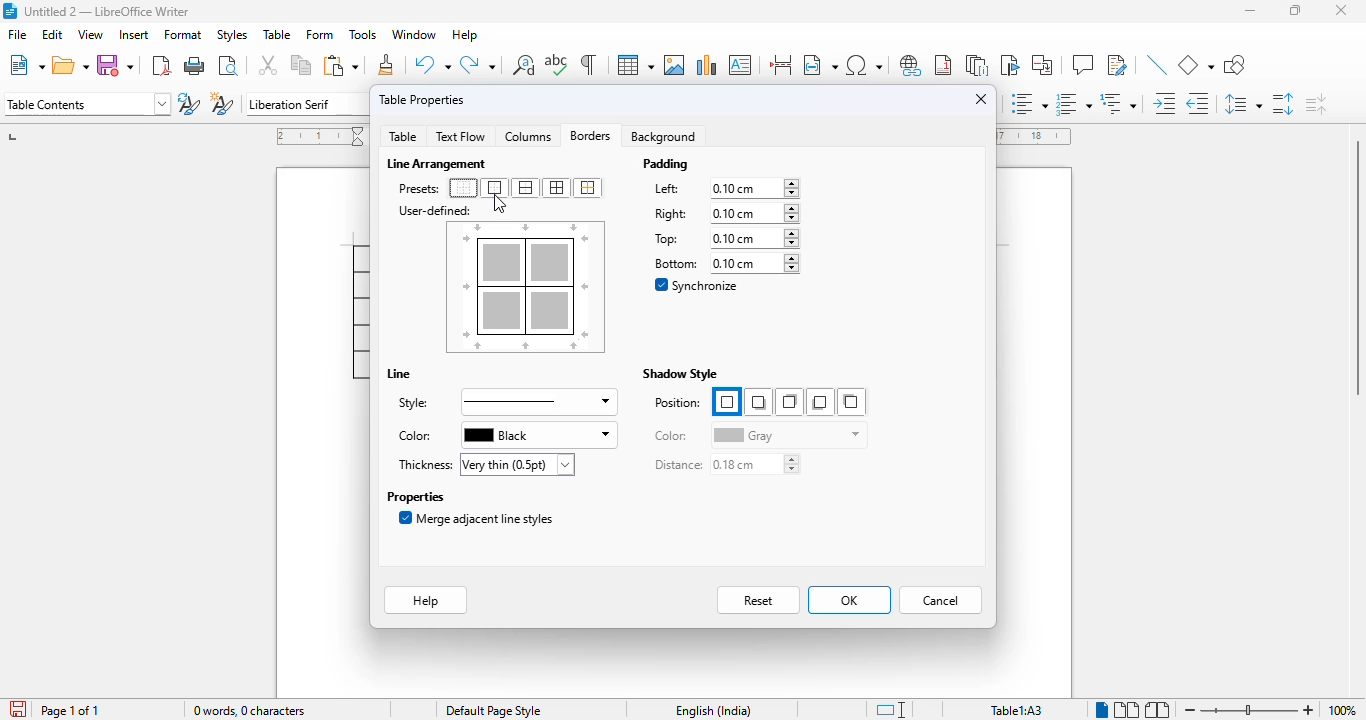 This screenshot has height=720, width=1366. I want to click on table, so click(402, 136).